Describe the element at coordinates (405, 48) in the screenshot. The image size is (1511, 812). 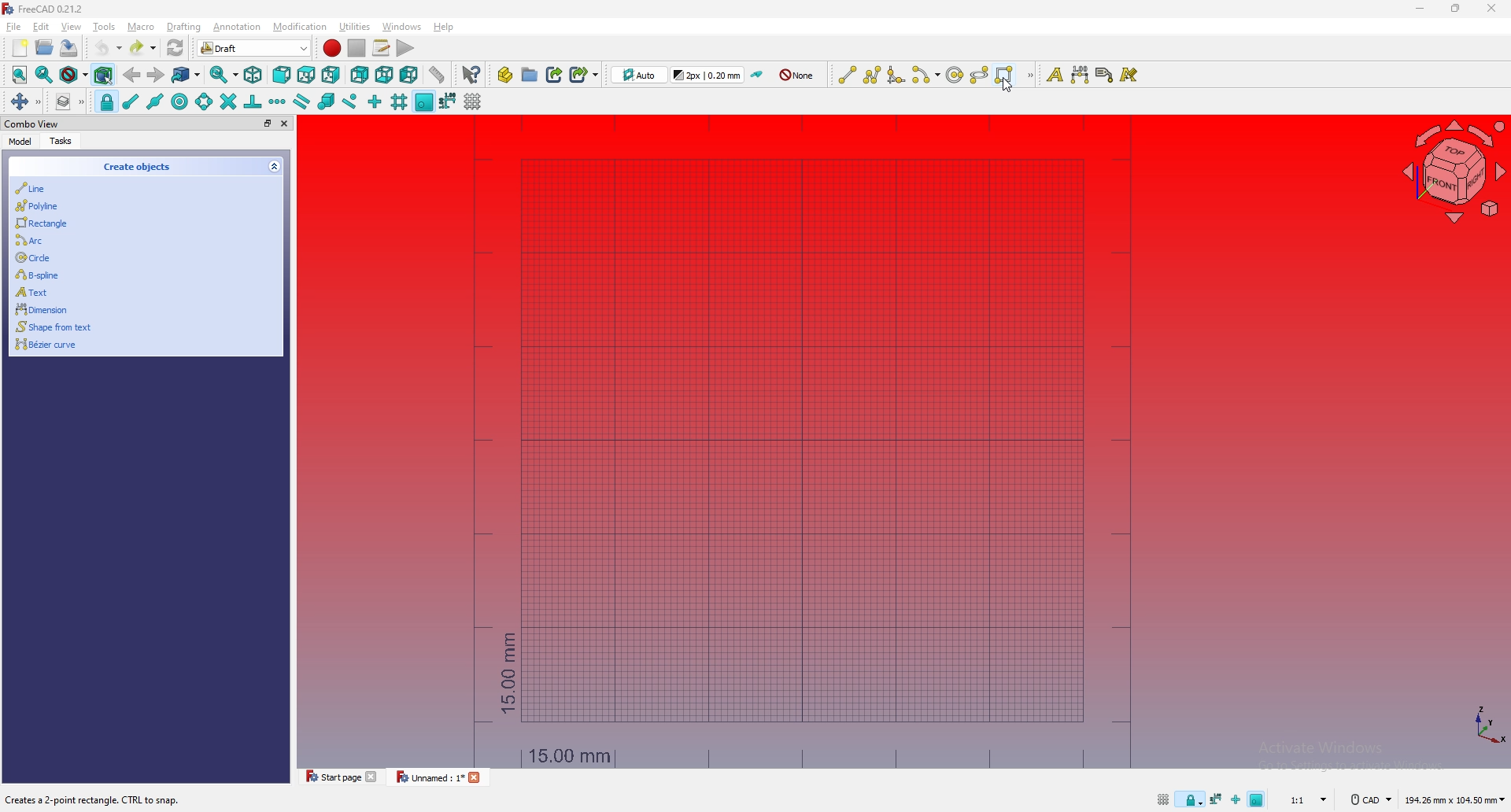
I see `execute macro` at that location.